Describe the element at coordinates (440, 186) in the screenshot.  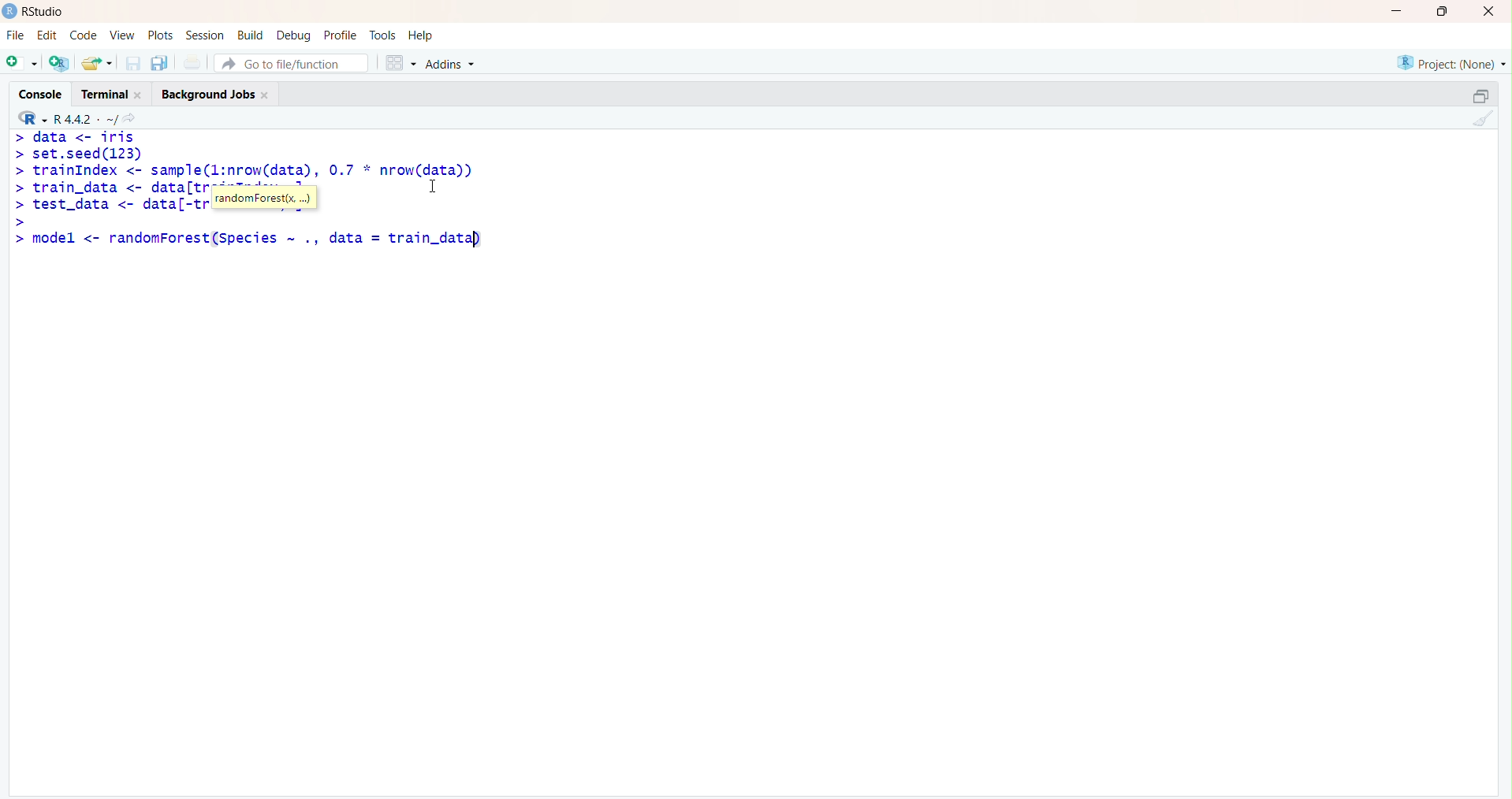
I see `Cursor` at that location.